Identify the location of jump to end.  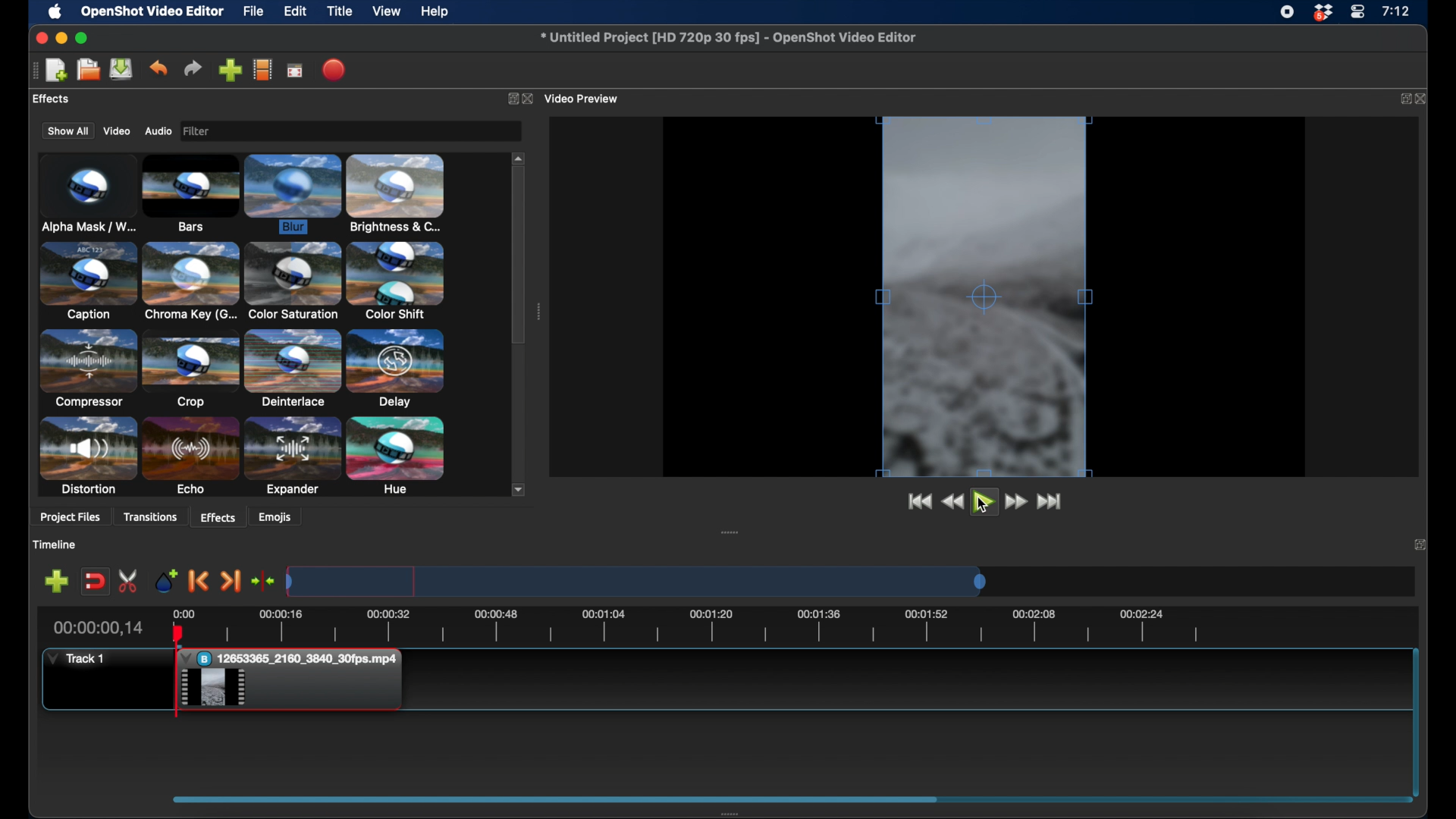
(1052, 502).